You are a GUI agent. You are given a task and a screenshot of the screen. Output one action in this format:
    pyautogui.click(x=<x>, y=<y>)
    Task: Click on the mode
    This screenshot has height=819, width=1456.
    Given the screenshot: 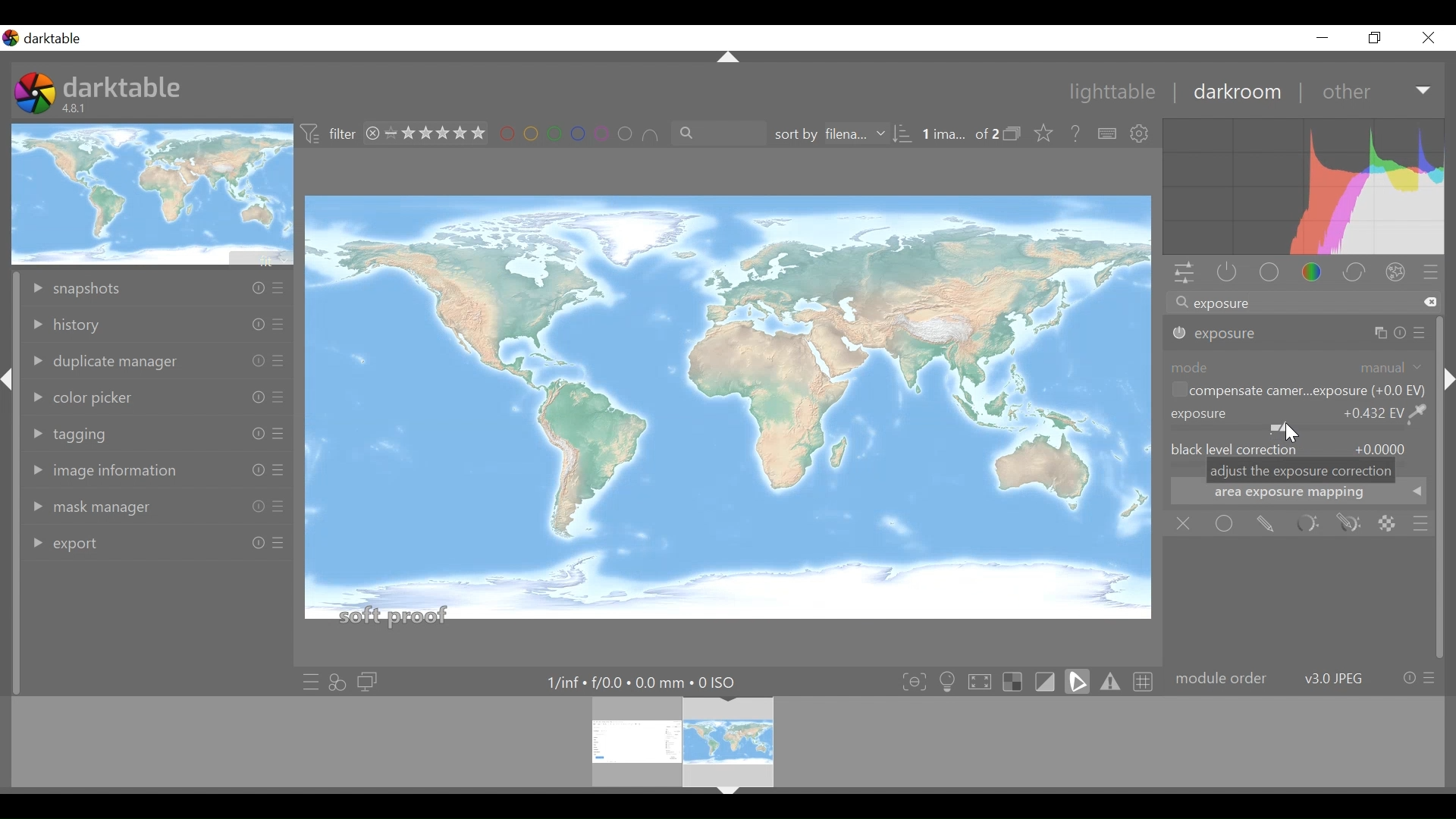 What is the action you would take?
    pyautogui.click(x=1298, y=366)
    